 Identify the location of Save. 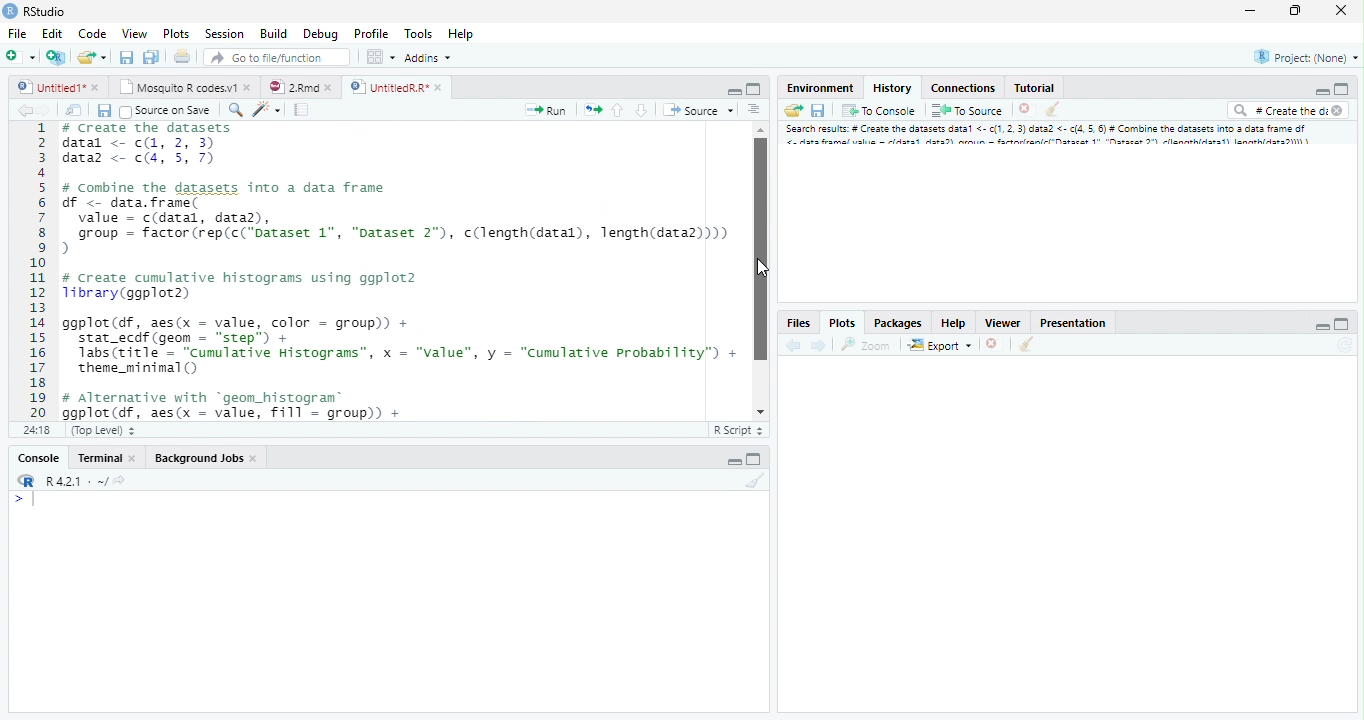
(104, 111).